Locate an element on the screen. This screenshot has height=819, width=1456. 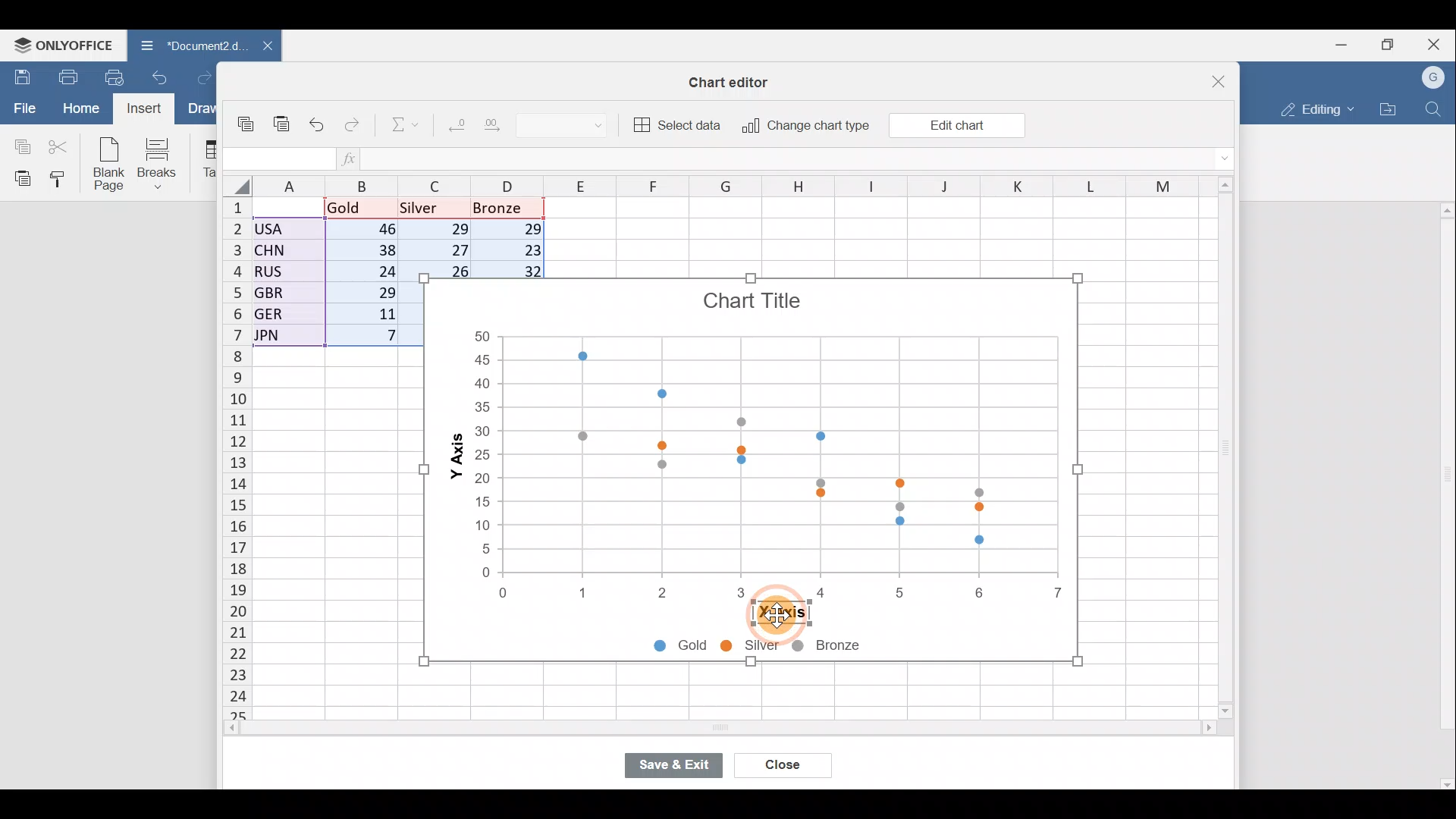
Editing mode is located at coordinates (1313, 109).